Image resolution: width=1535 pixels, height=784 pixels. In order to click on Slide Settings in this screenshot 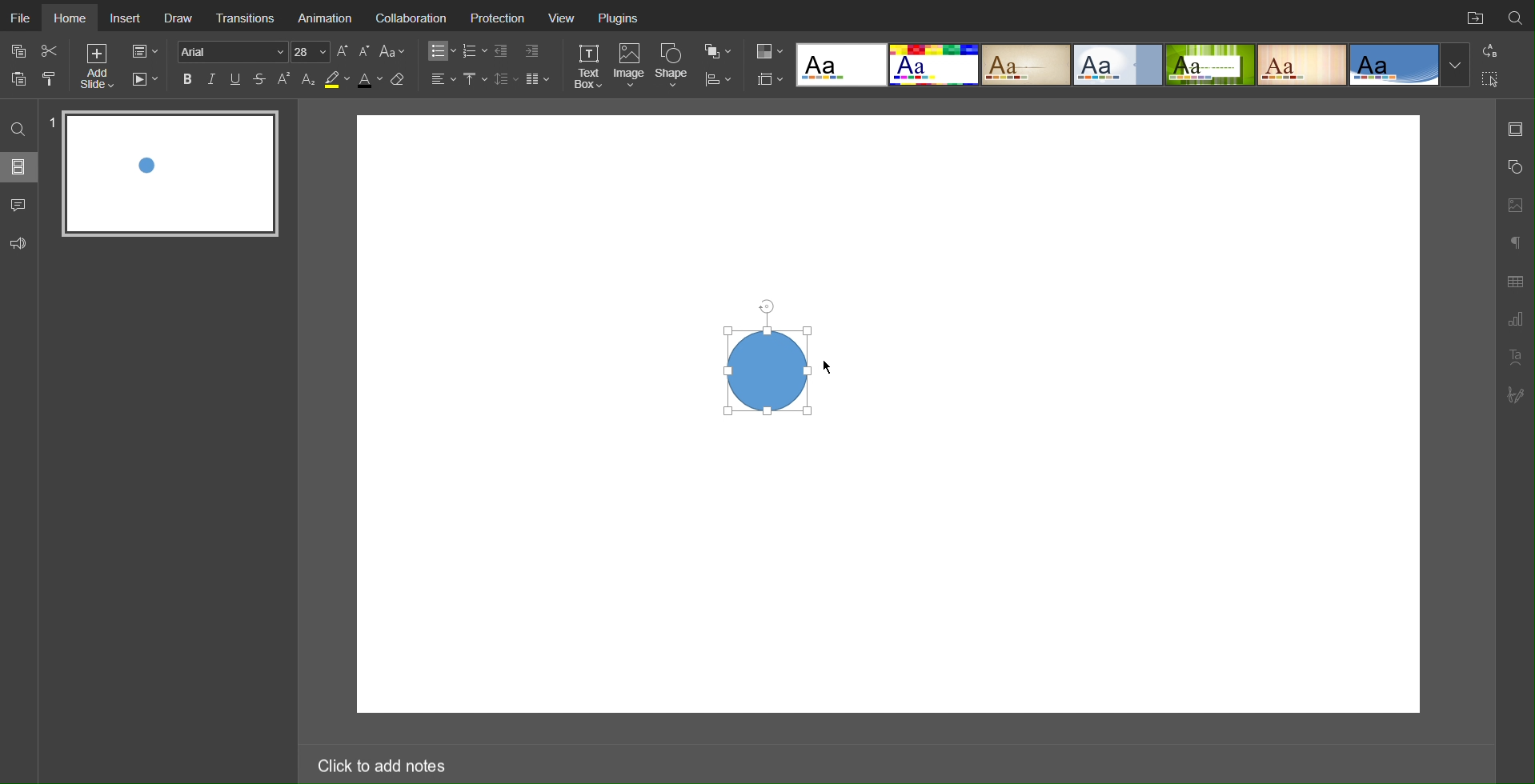, I will do `click(1515, 129)`.